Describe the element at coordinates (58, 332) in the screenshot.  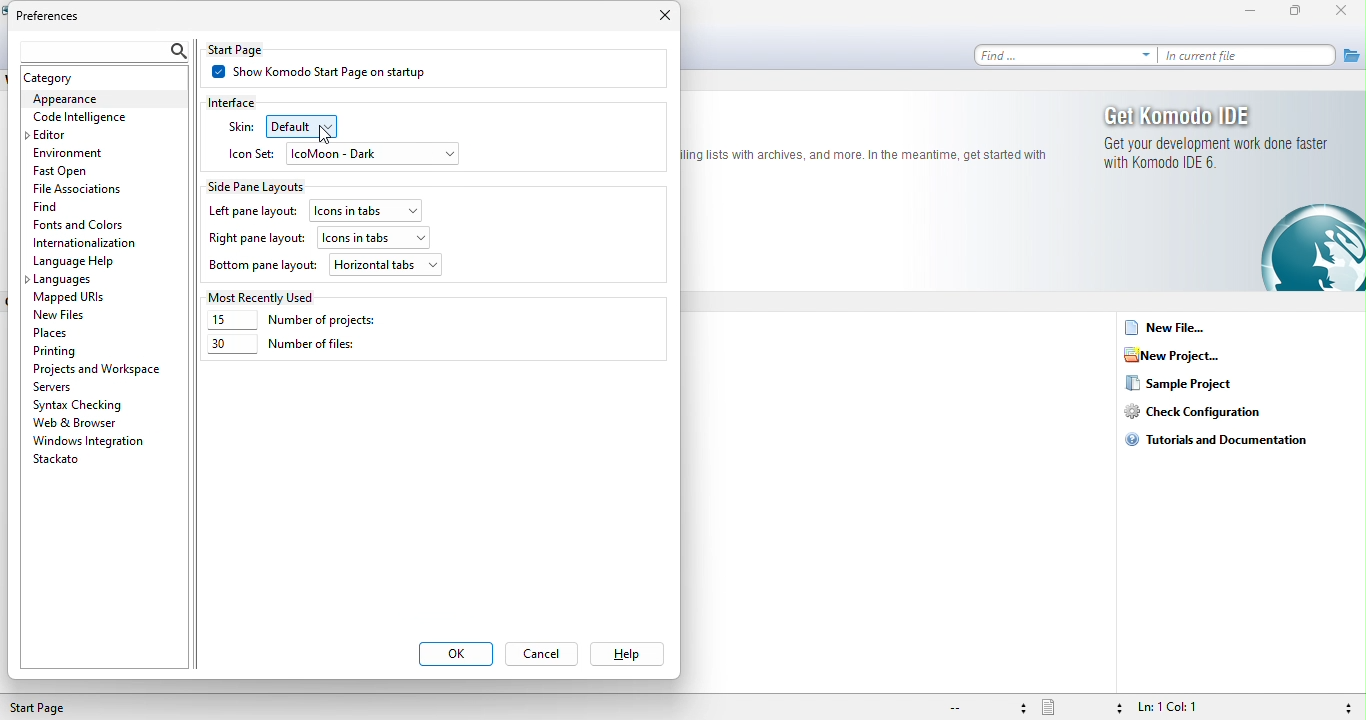
I see `places` at that location.